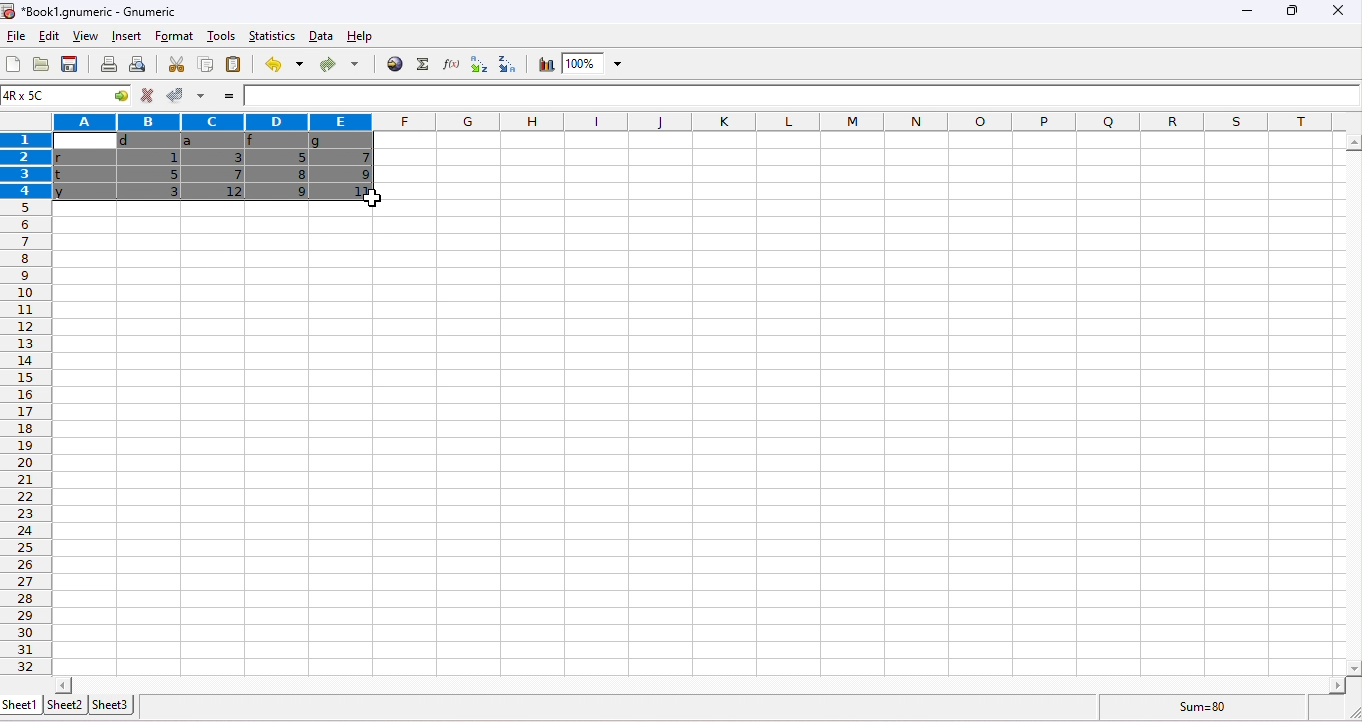 The image size is (1362, 722). Describe the element at coordinates (29, 438) in the screenshot. I see `row numbers` at that location.